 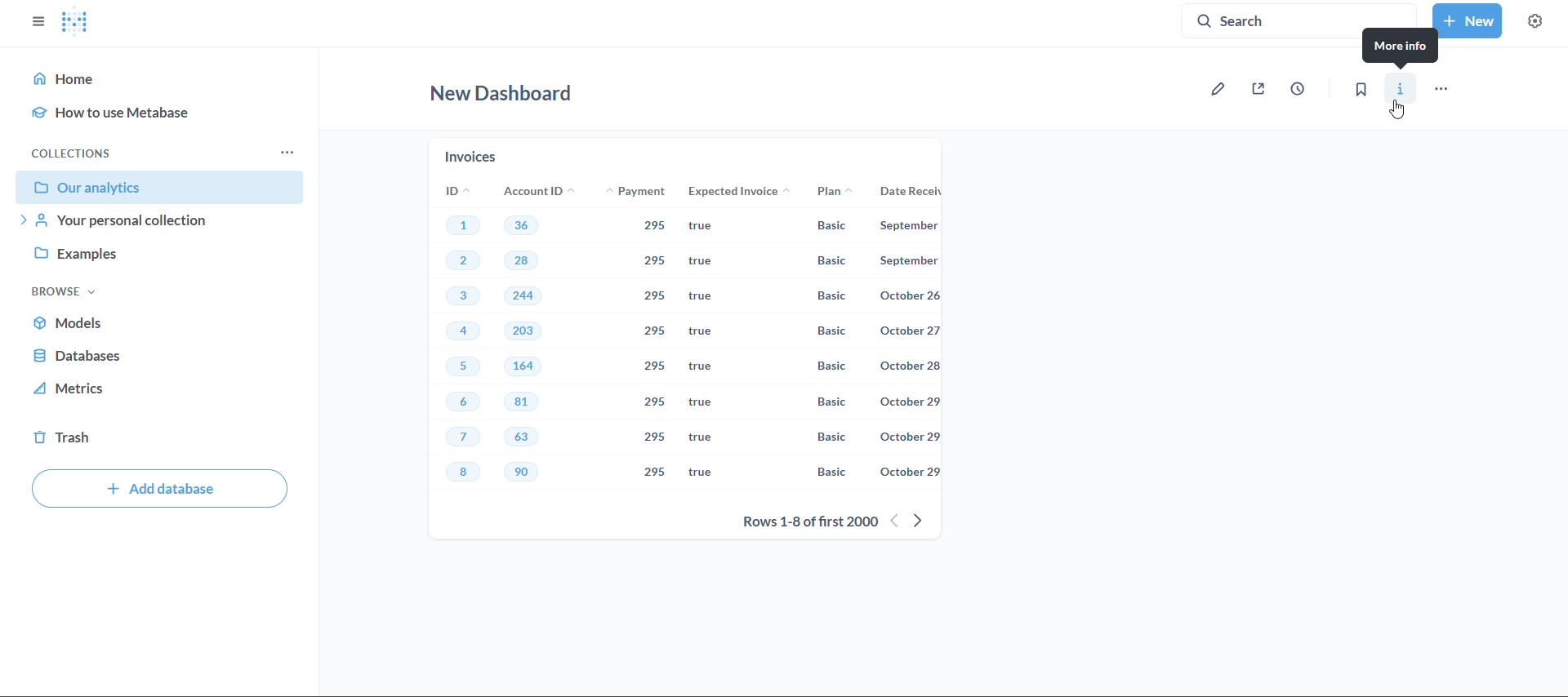 What do you see at coordinates (451, 191) in the screenshot?
I see `ID's` at bounding box center [451, 191].